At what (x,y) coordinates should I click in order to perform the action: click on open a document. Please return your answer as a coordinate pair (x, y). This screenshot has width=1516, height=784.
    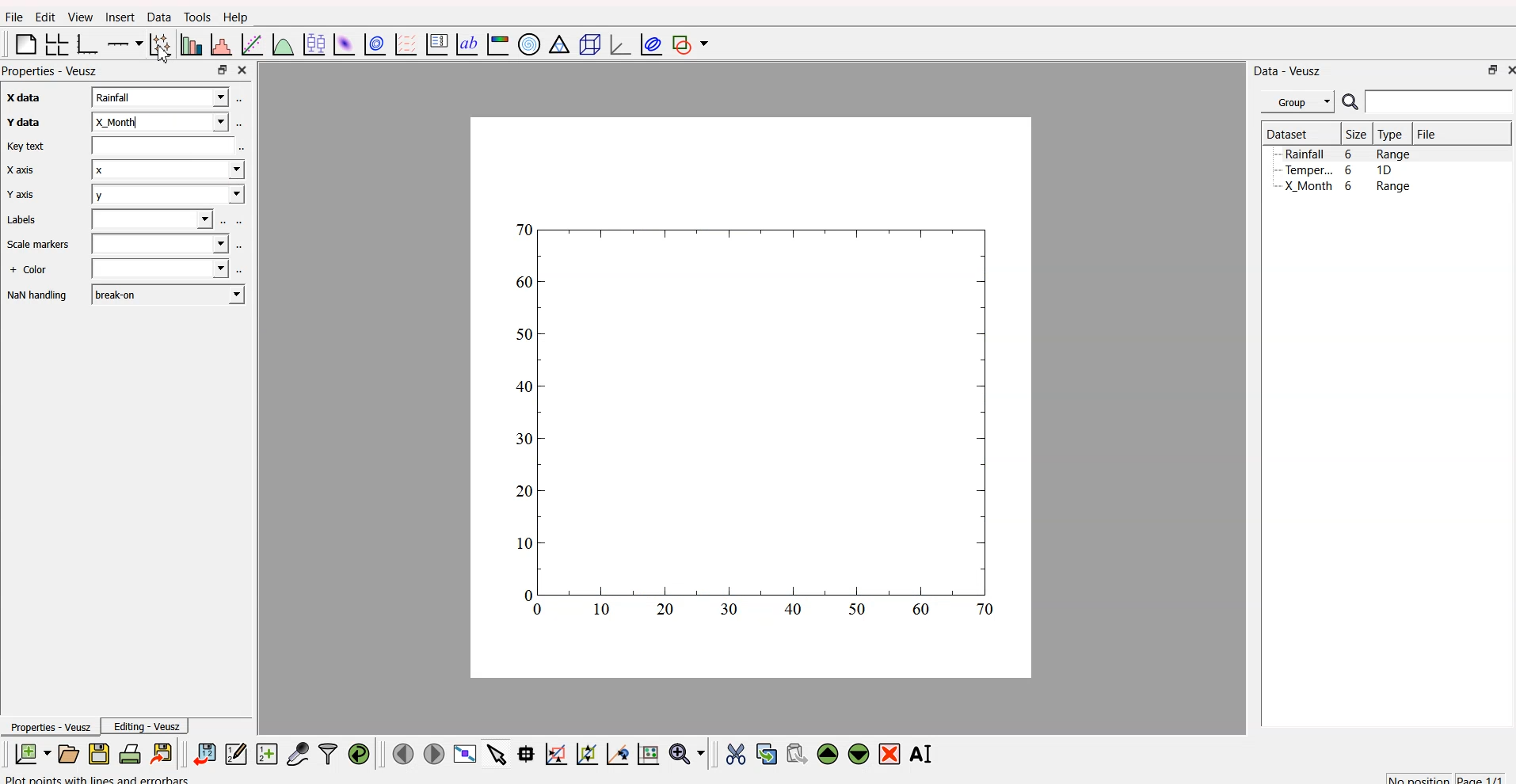
    Looking at the image, I should click on (67, 752).